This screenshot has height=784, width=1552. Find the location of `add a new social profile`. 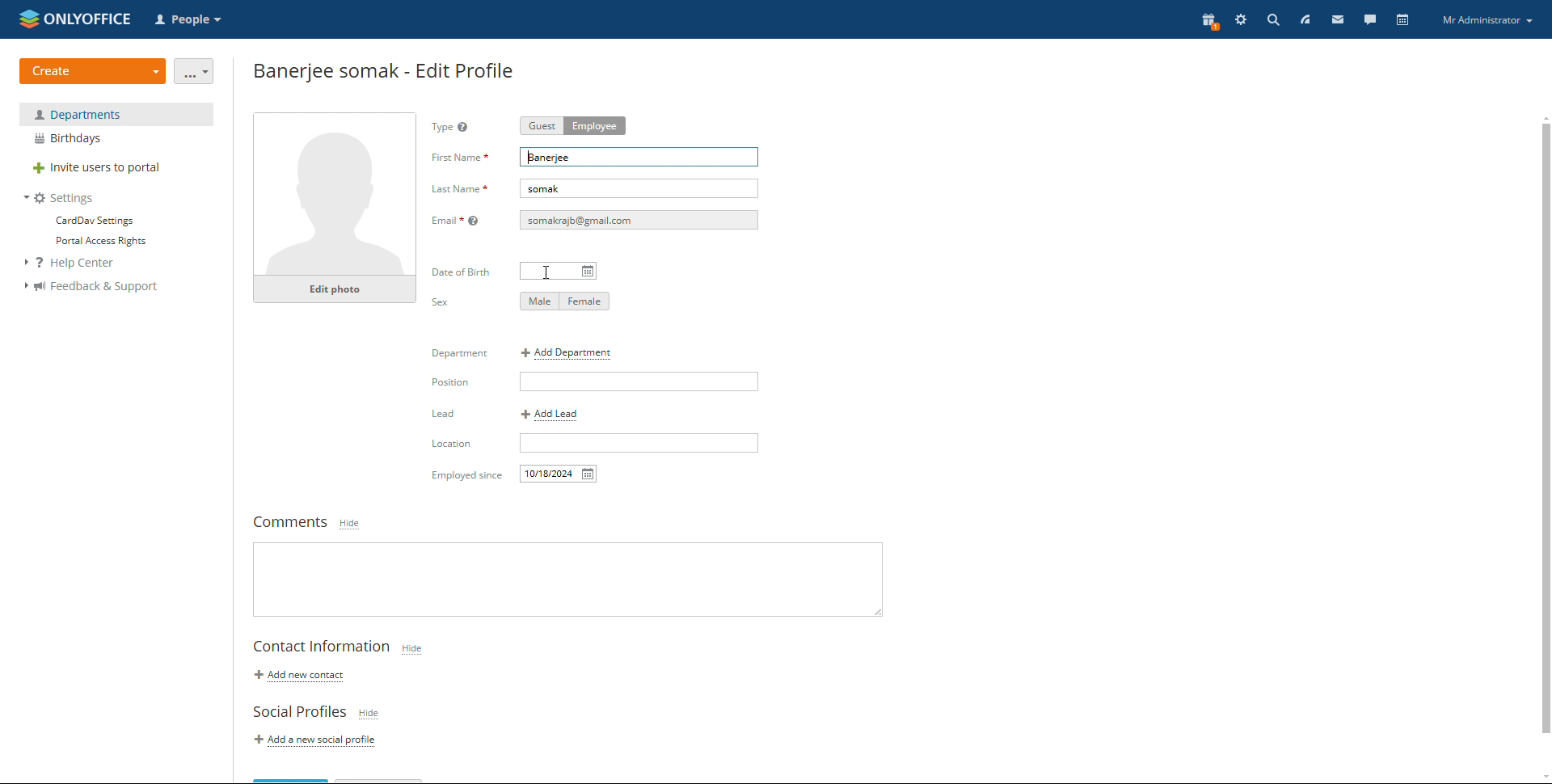

add a new social profile is located at coordinates (318, 741).